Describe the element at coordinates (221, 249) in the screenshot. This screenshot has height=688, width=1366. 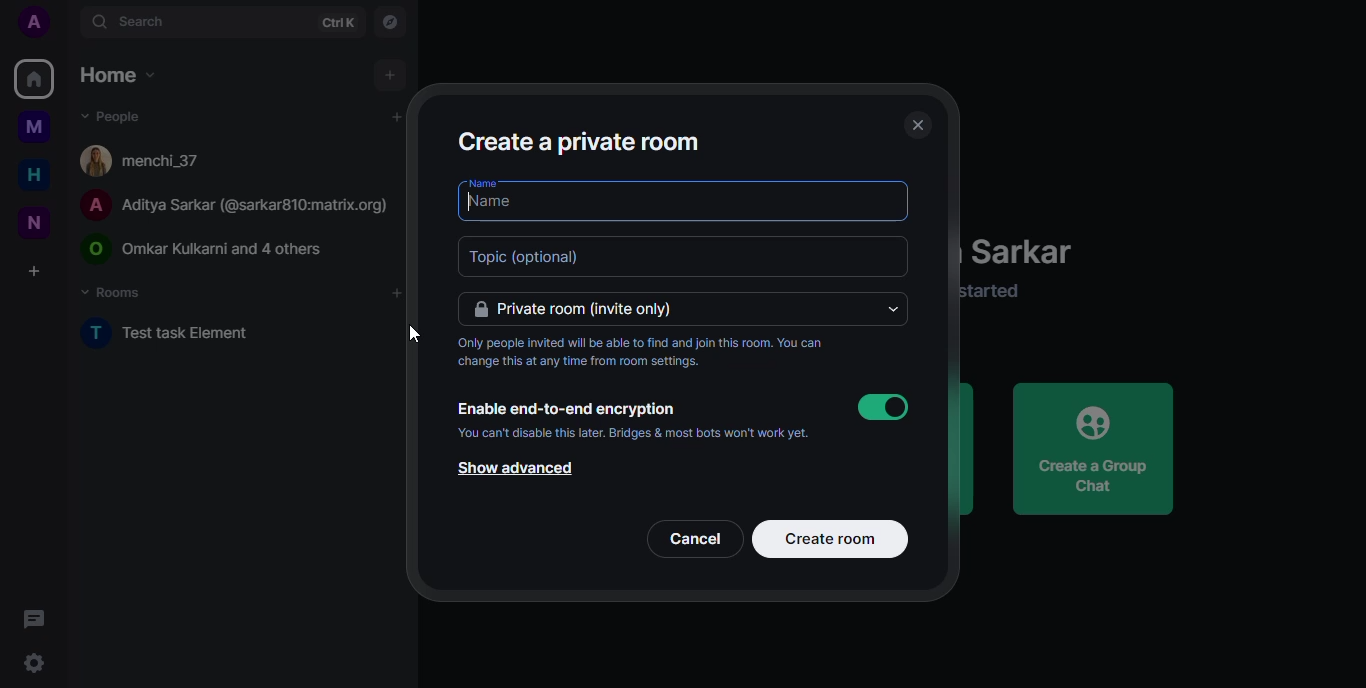
I see `© Omar Kulkarni and 4 others` at that location.